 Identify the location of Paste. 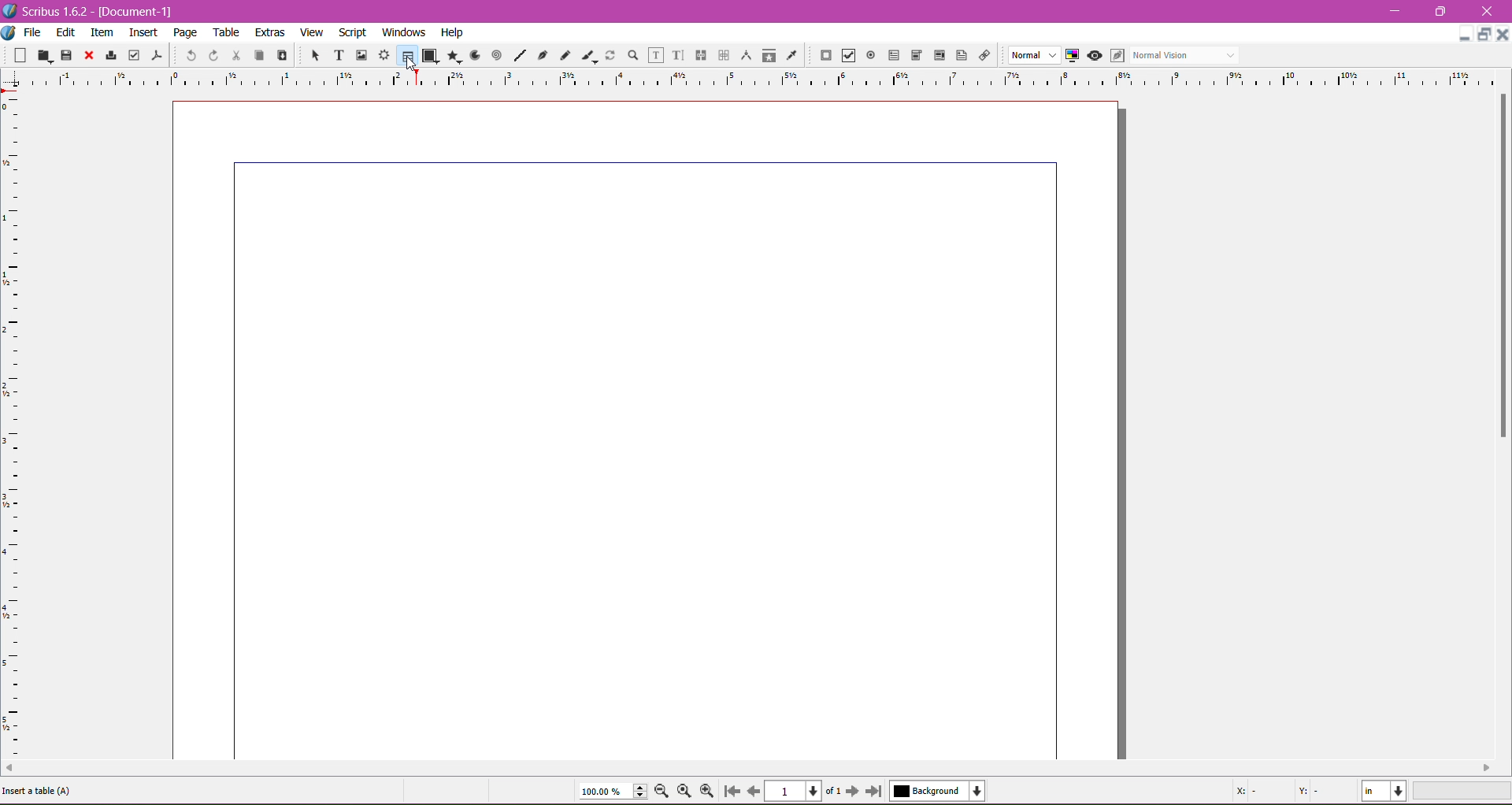
(280, 56).